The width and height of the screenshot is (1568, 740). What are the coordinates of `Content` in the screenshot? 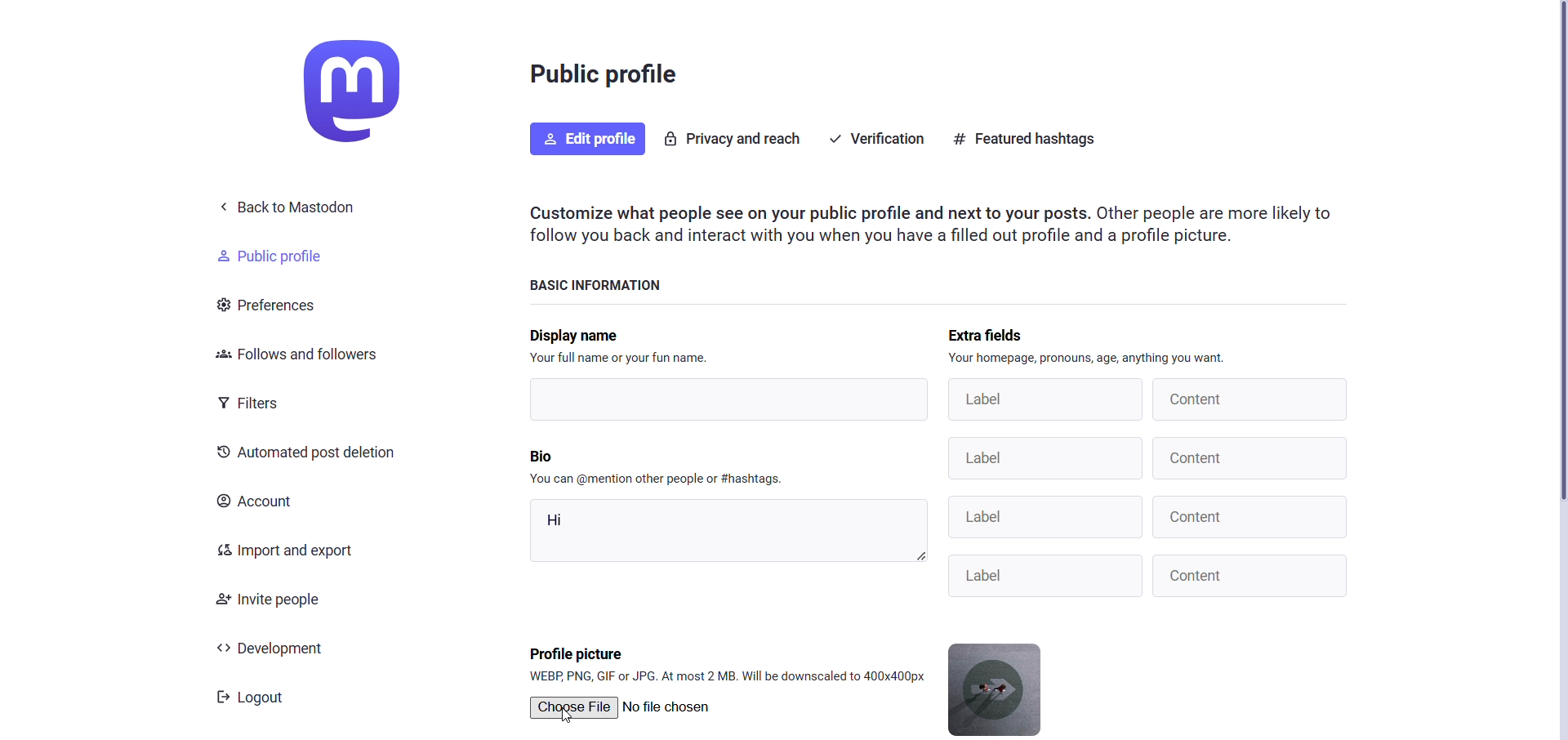 It's located at (1251, 457).